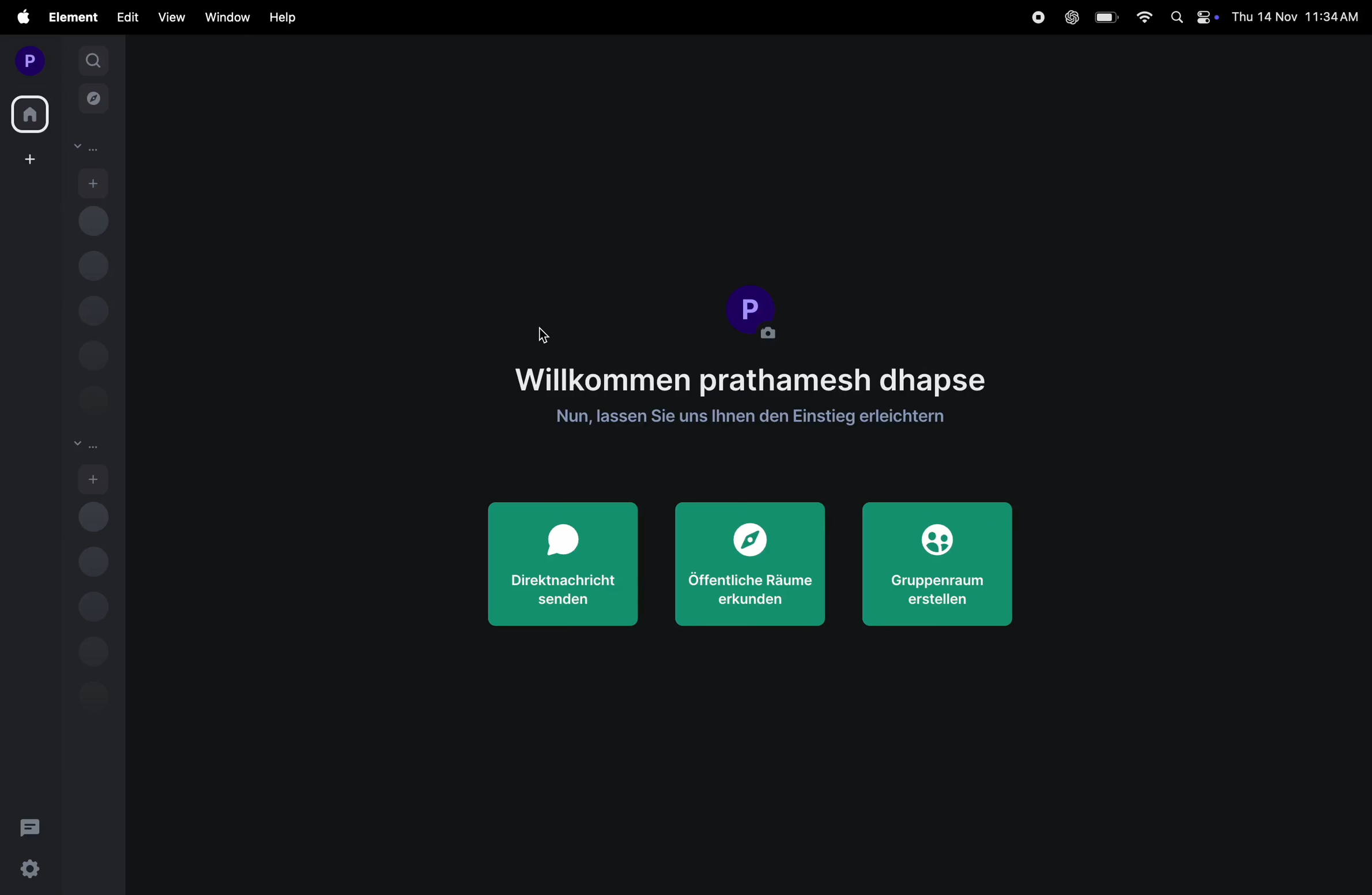 The image size is (1372, 895). What do you see at coordinates (94, 479) in the screenshot?
I see `add` at bounding box center [94, 479].